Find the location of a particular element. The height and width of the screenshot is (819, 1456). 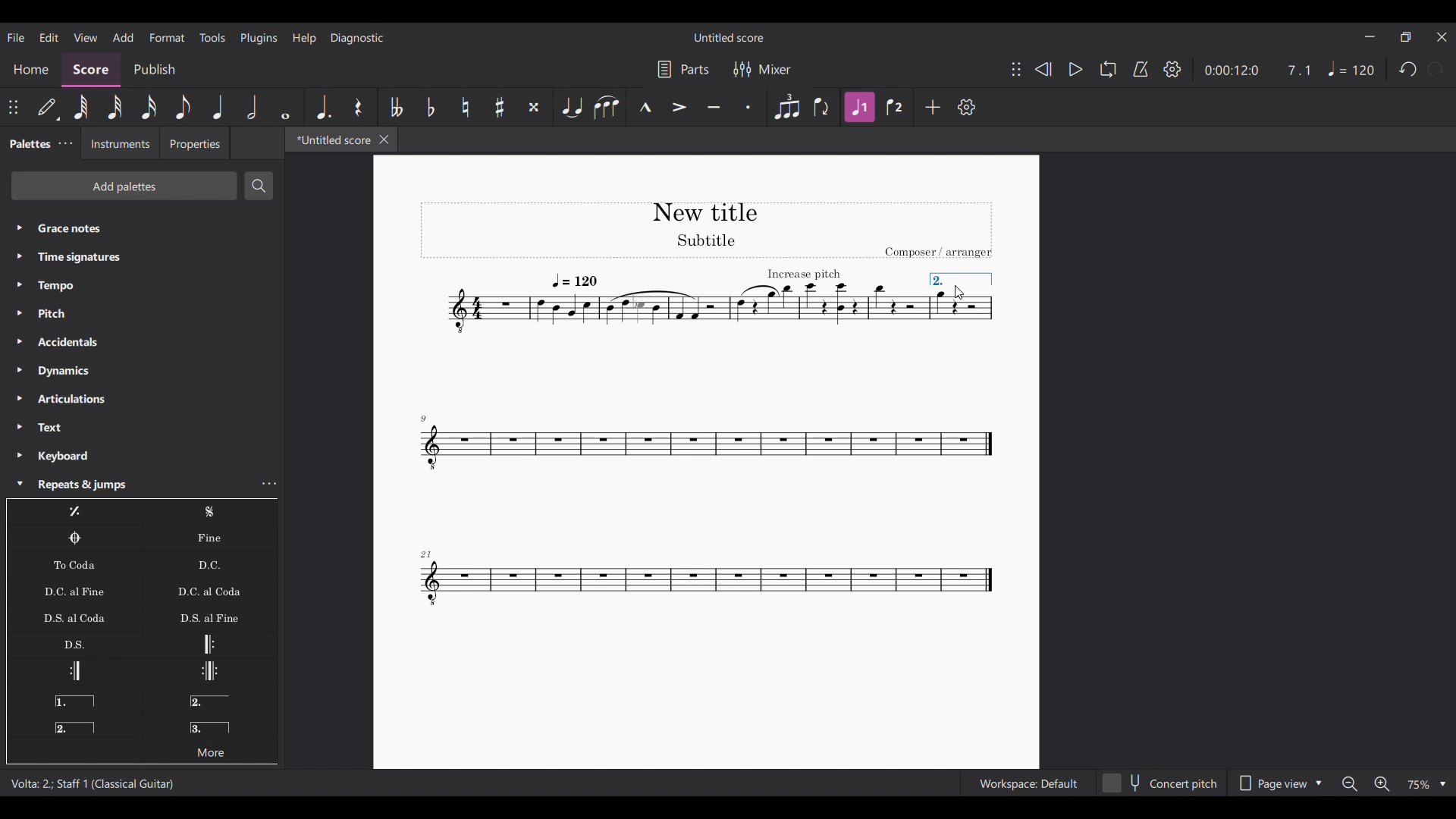

Diagnostic menu is located at coordinates (357, 39).